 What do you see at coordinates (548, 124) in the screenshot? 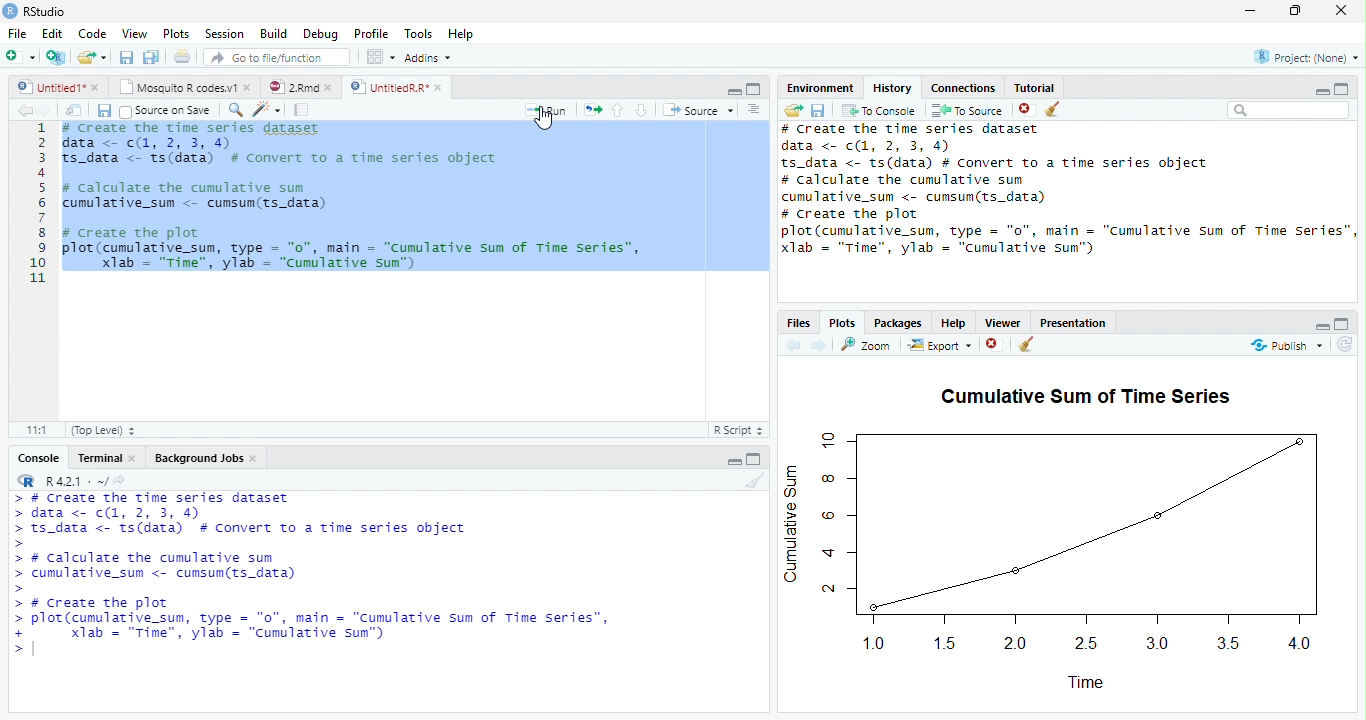
I see `Cursor` at bounding box center [548, 124].